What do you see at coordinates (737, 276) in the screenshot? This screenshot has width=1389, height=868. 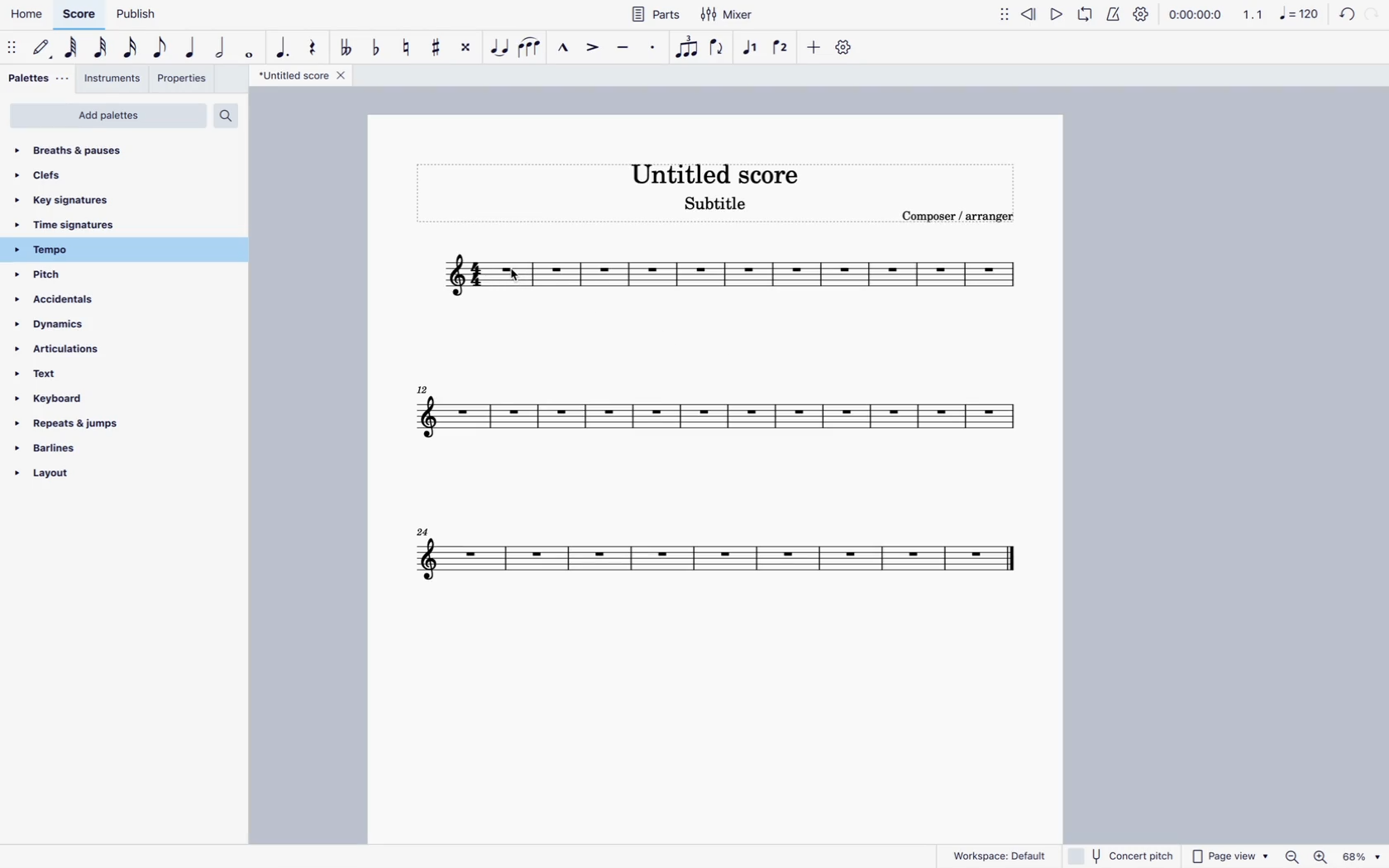 I see `score` at bounding box center [737, 276].